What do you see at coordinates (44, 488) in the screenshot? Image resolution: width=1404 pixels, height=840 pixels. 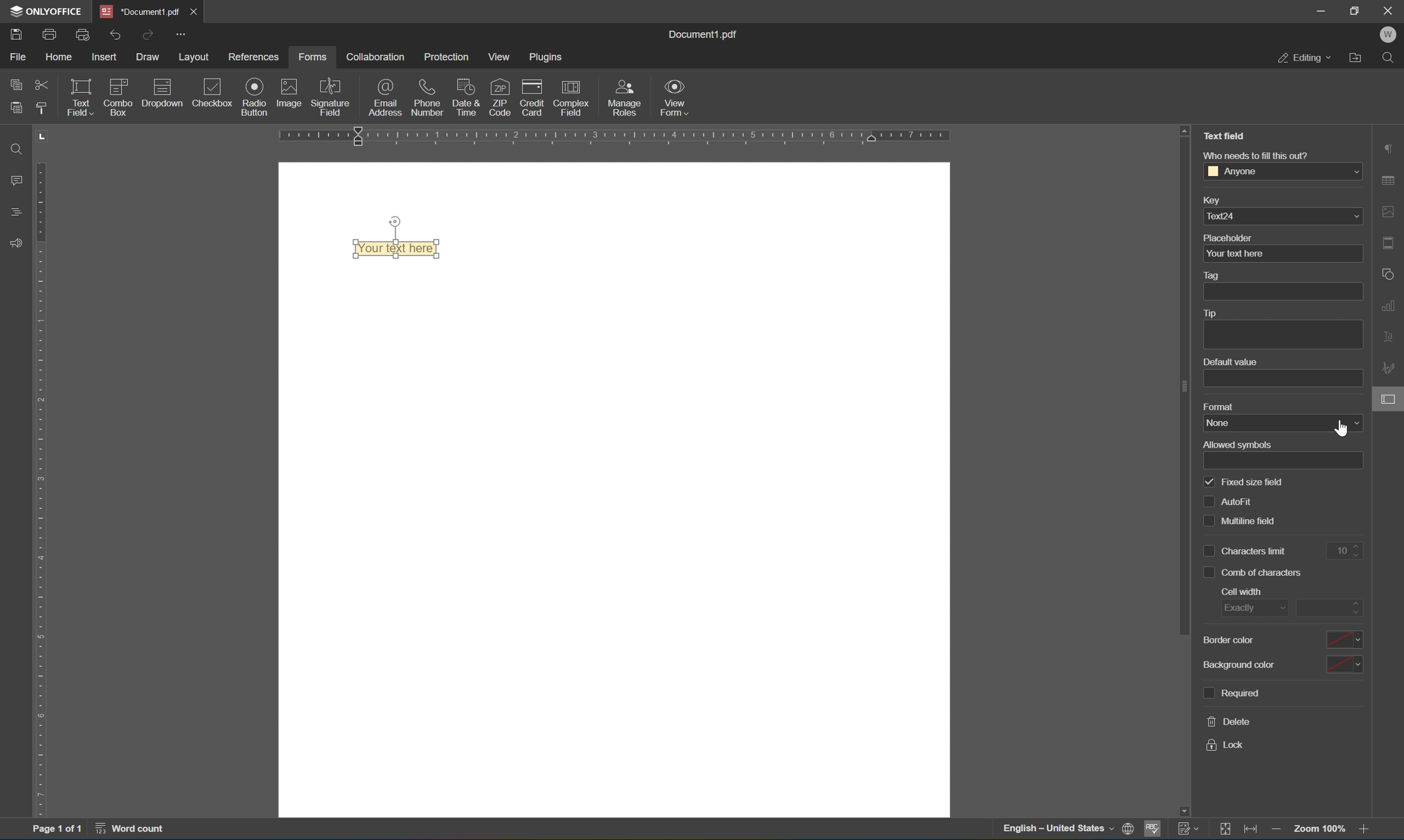 I see `ruler` at bounding box center [44, 488].